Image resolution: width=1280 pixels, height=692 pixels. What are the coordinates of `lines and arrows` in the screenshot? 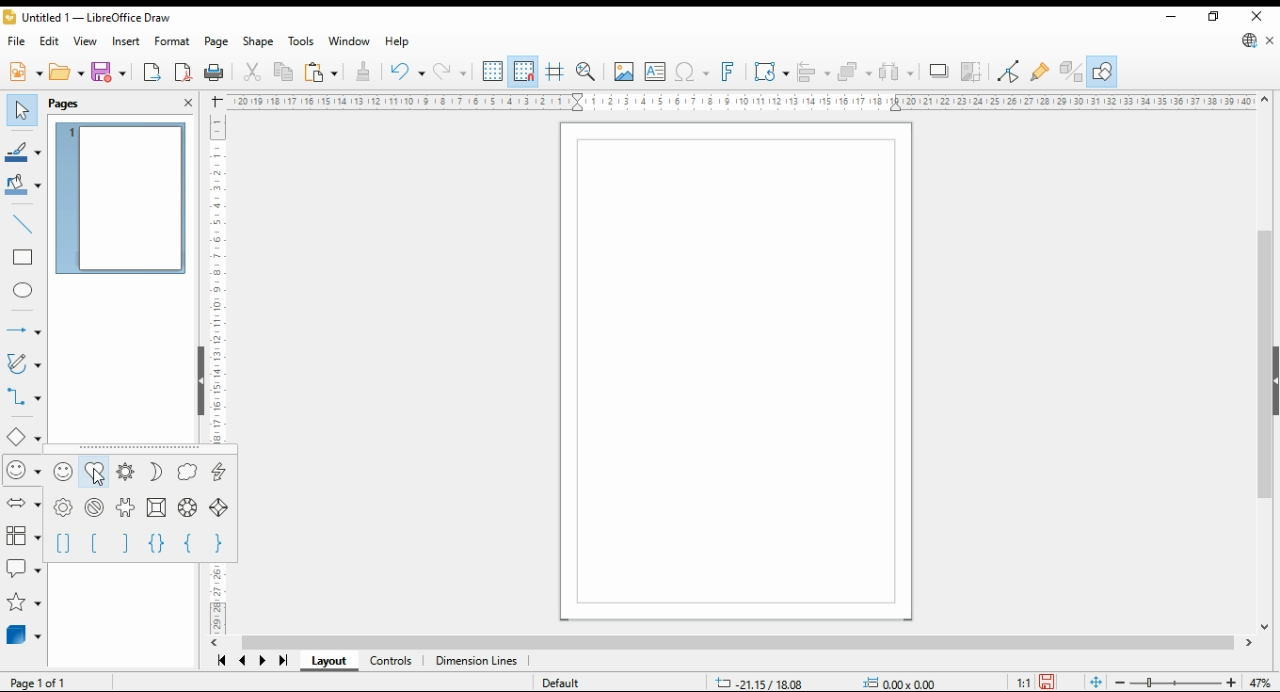 It's located at (23, 327).